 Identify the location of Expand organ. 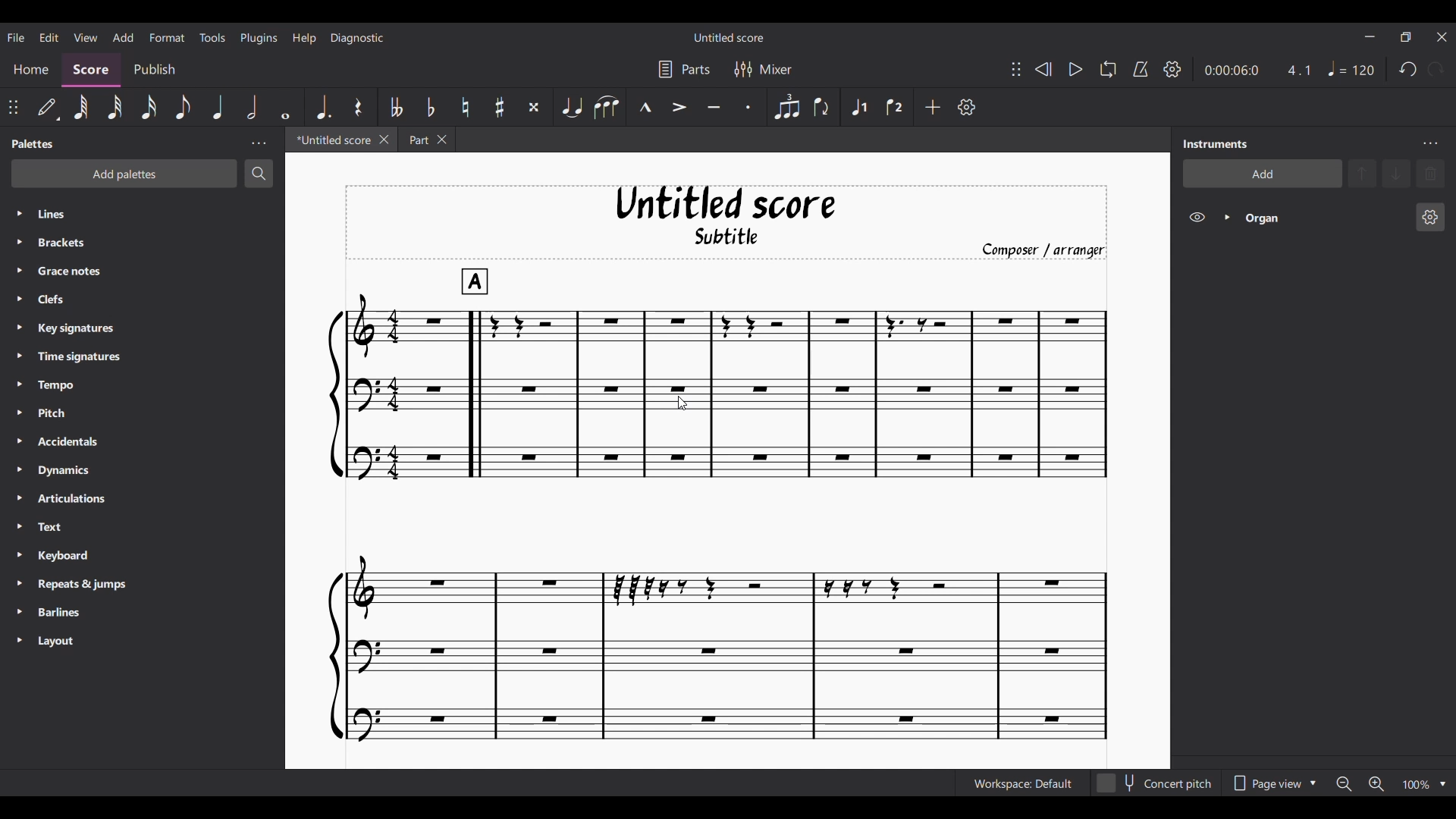
(1227, 217).